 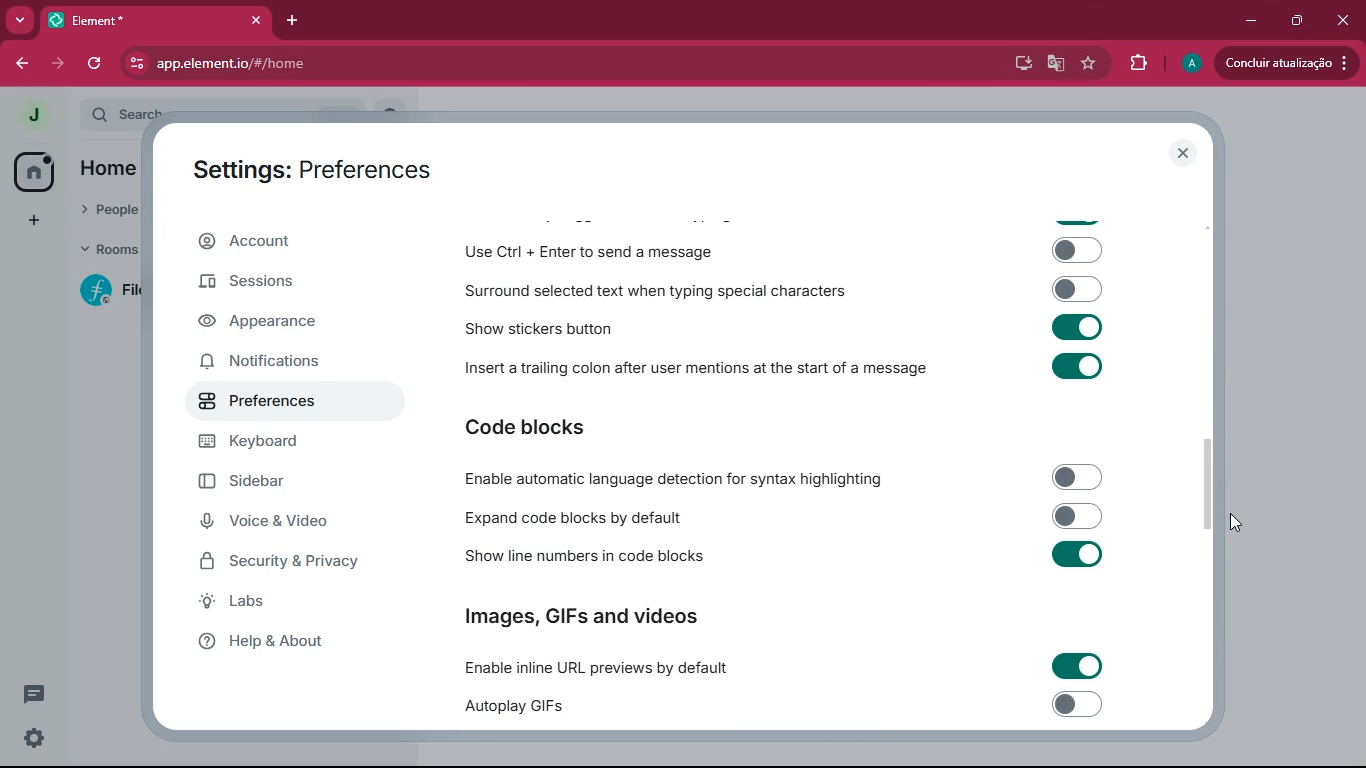 I want to click on settings, so click(x=34, y=738).